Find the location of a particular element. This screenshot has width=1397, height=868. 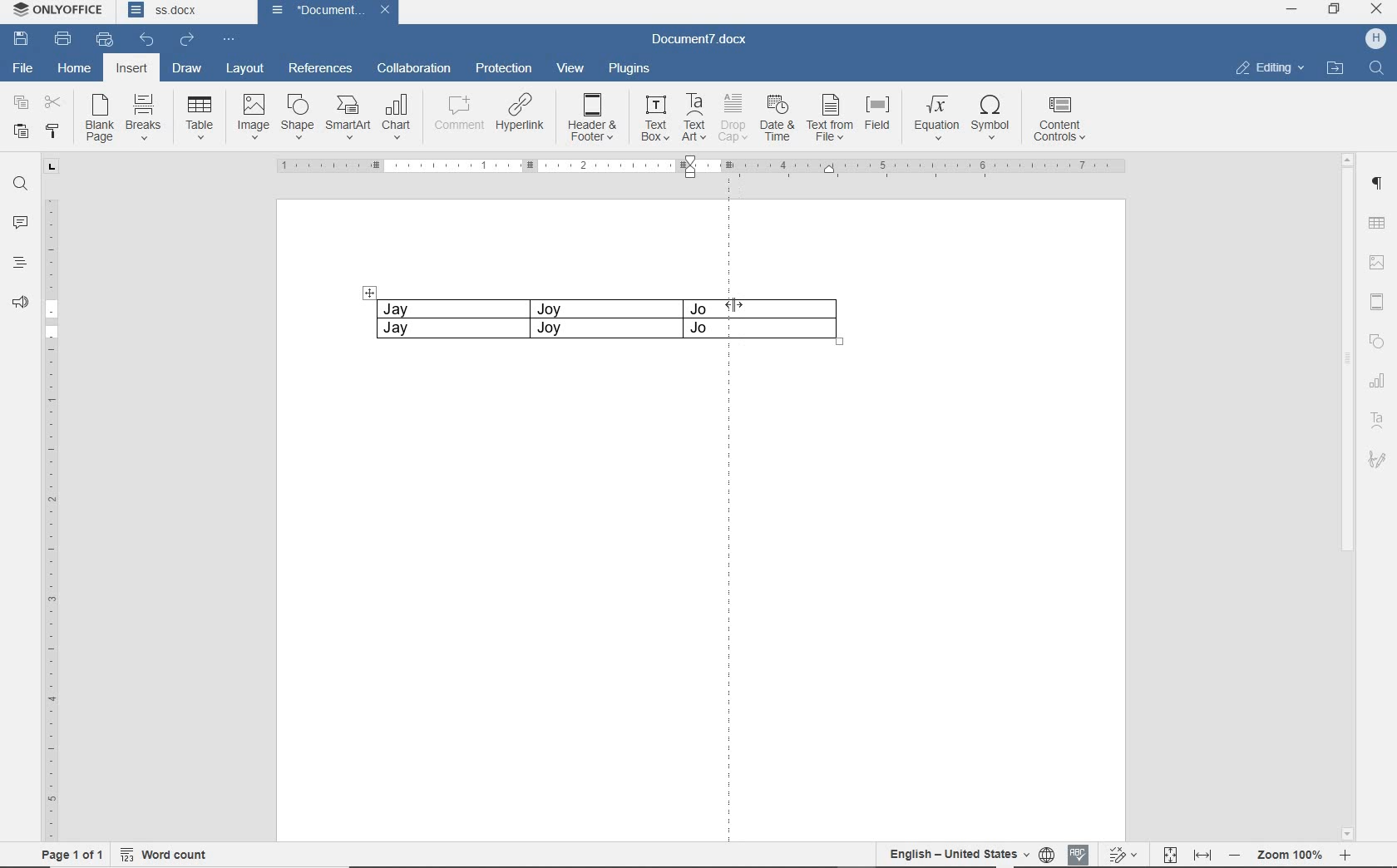

HP is located at coordinates (1375, 37).